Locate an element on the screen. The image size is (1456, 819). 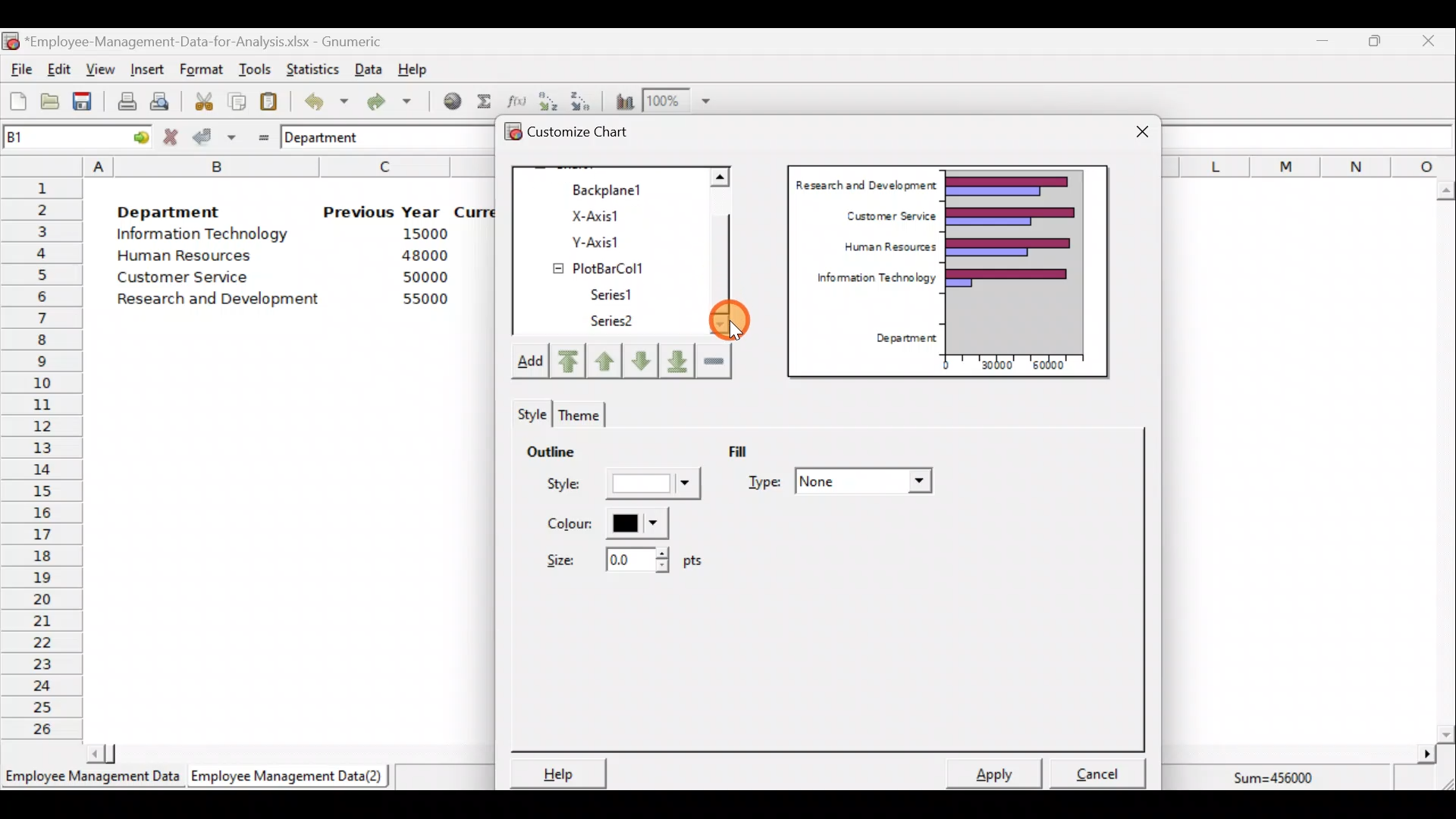
Edit a function in the current cell is located at coordinates (516, 100).